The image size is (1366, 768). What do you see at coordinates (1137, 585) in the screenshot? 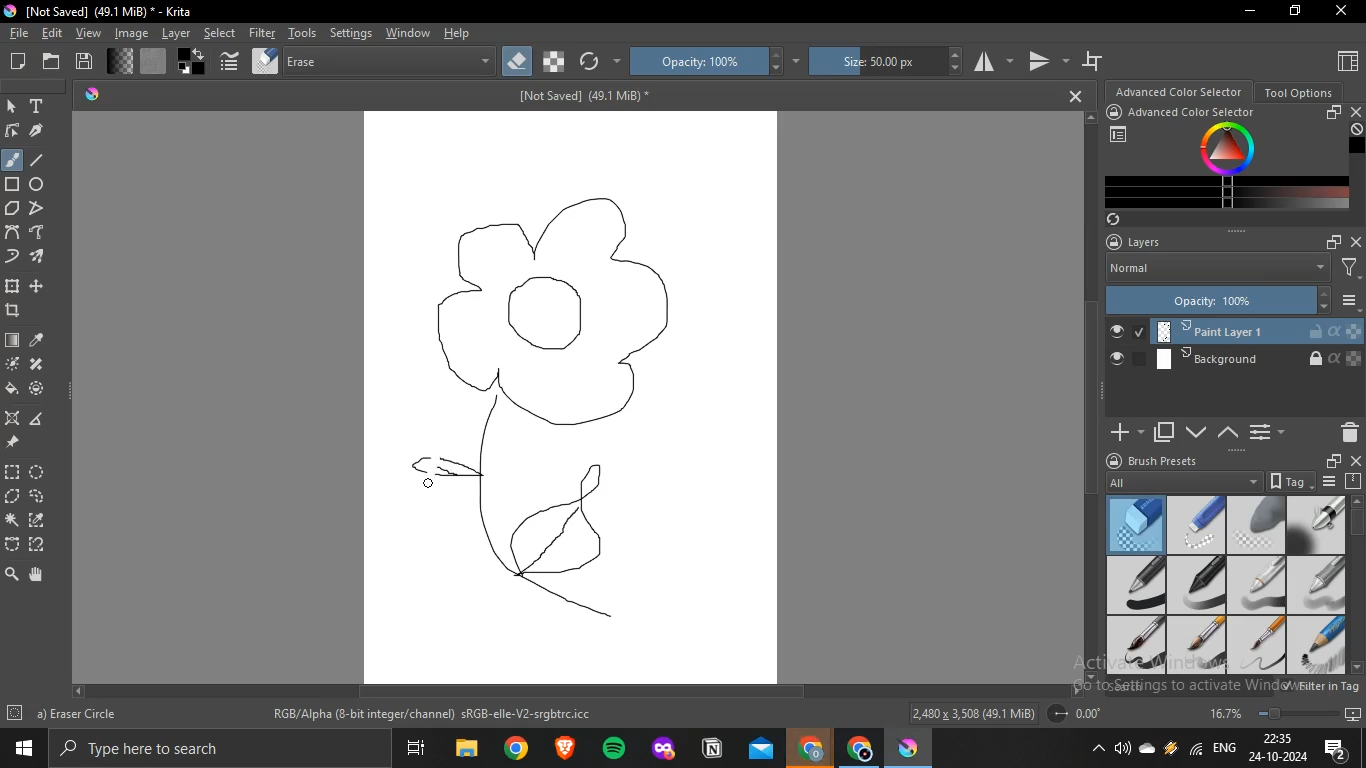
I see `basic 1` at bounding box center [1137, 585].